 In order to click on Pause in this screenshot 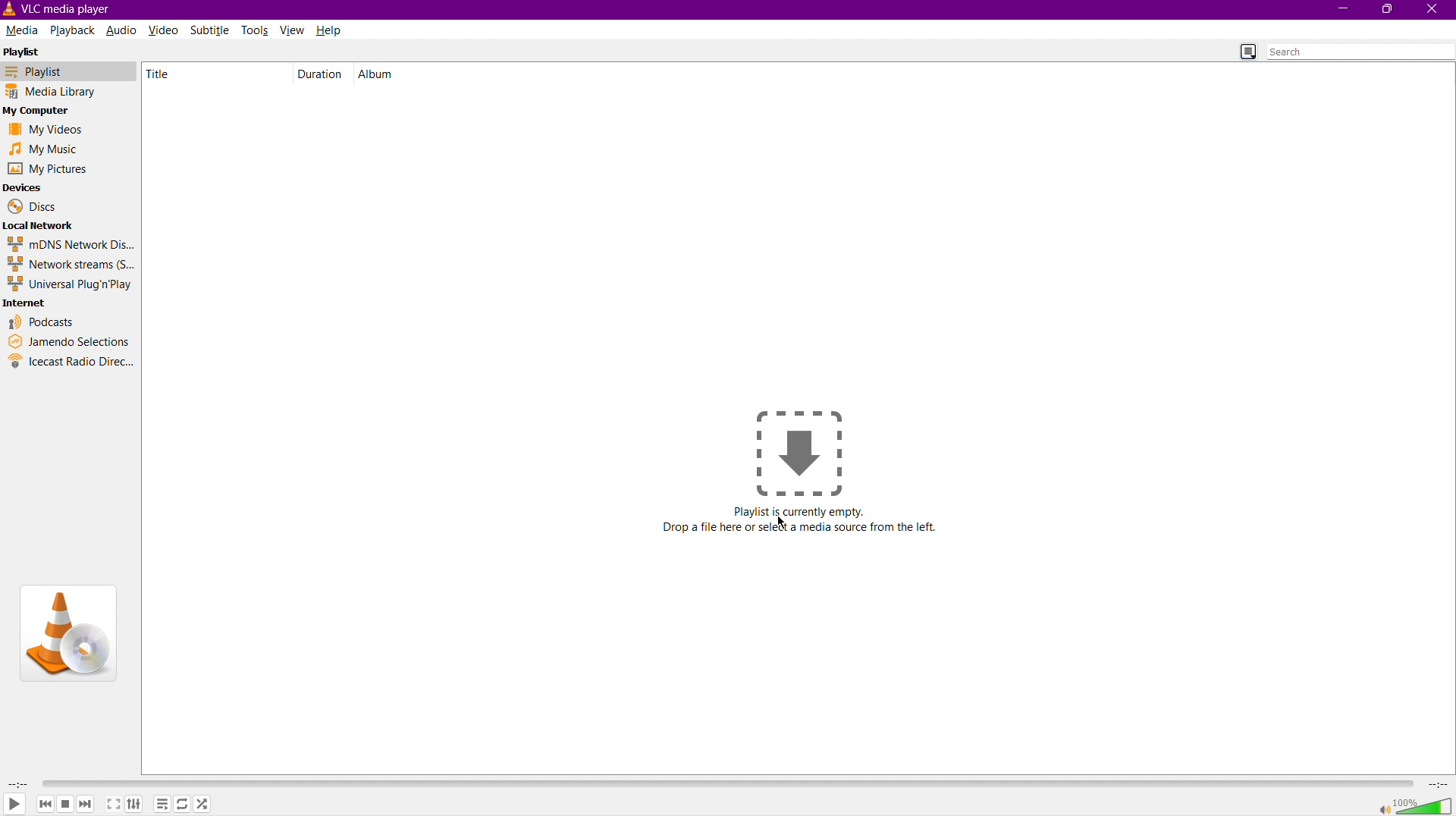, I will do `click(65, 802)`.